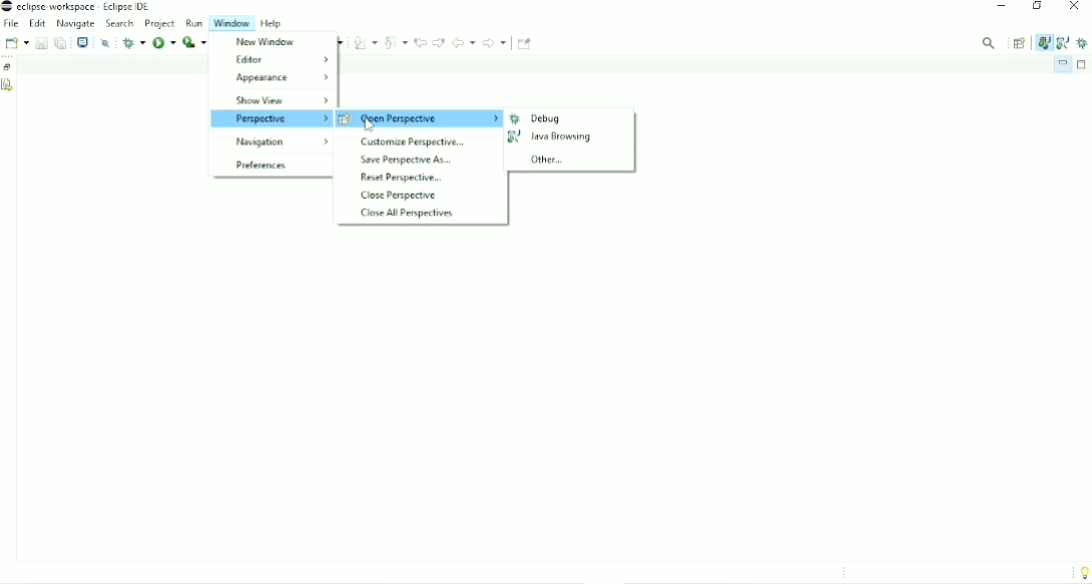 Image resolution: width=1092 pixels, height=584 pixels. Describe the element at coordinates (406, 213) in the screenshot. I see `Close All Perspectives` at that location.